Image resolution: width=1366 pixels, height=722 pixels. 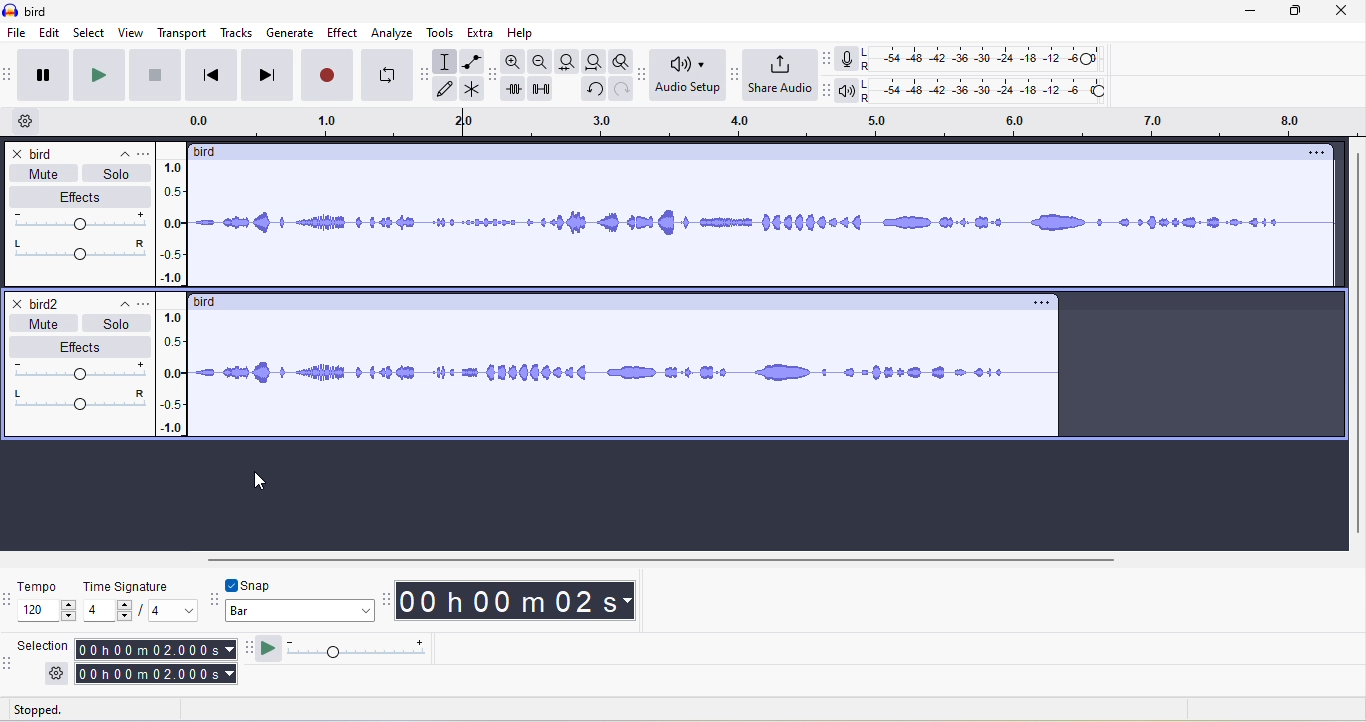 I want to click on time signature, so click(x=137, y=602).